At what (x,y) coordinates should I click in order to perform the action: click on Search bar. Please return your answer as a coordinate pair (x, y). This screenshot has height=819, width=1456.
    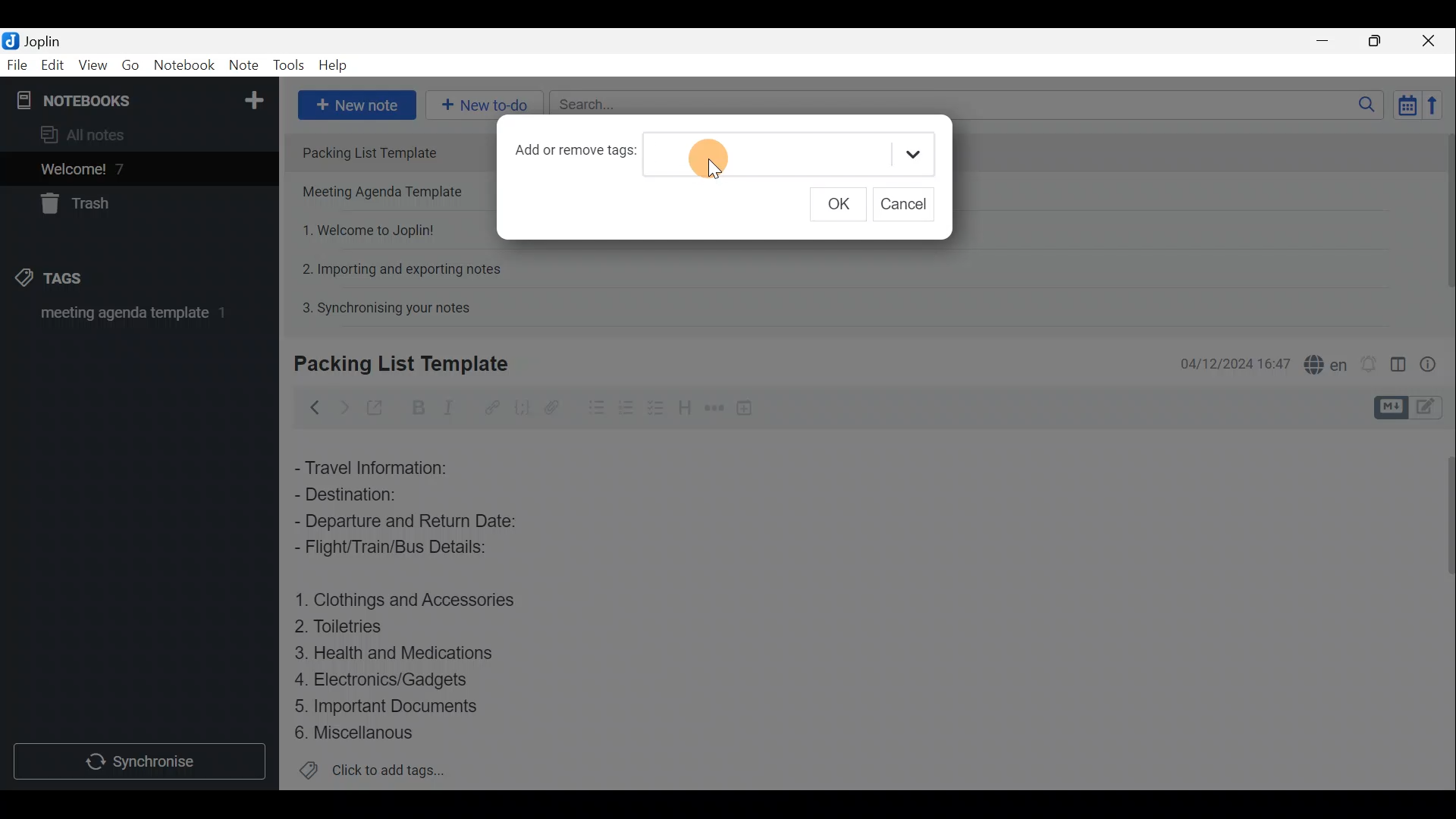
    Looking at the image, I should click on (962, 106).